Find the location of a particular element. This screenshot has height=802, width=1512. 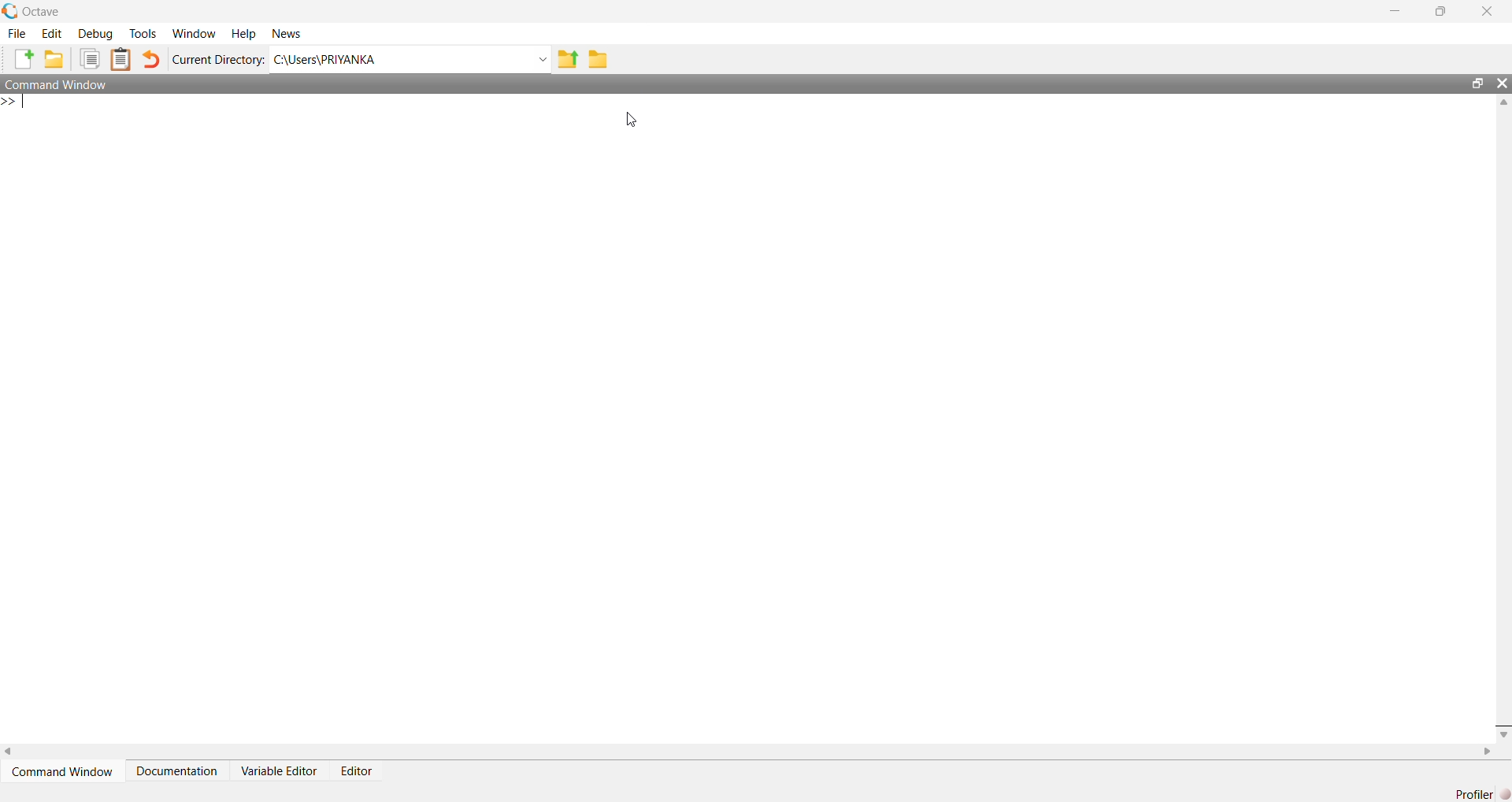

Cursor is located at coordinates (632, 119).